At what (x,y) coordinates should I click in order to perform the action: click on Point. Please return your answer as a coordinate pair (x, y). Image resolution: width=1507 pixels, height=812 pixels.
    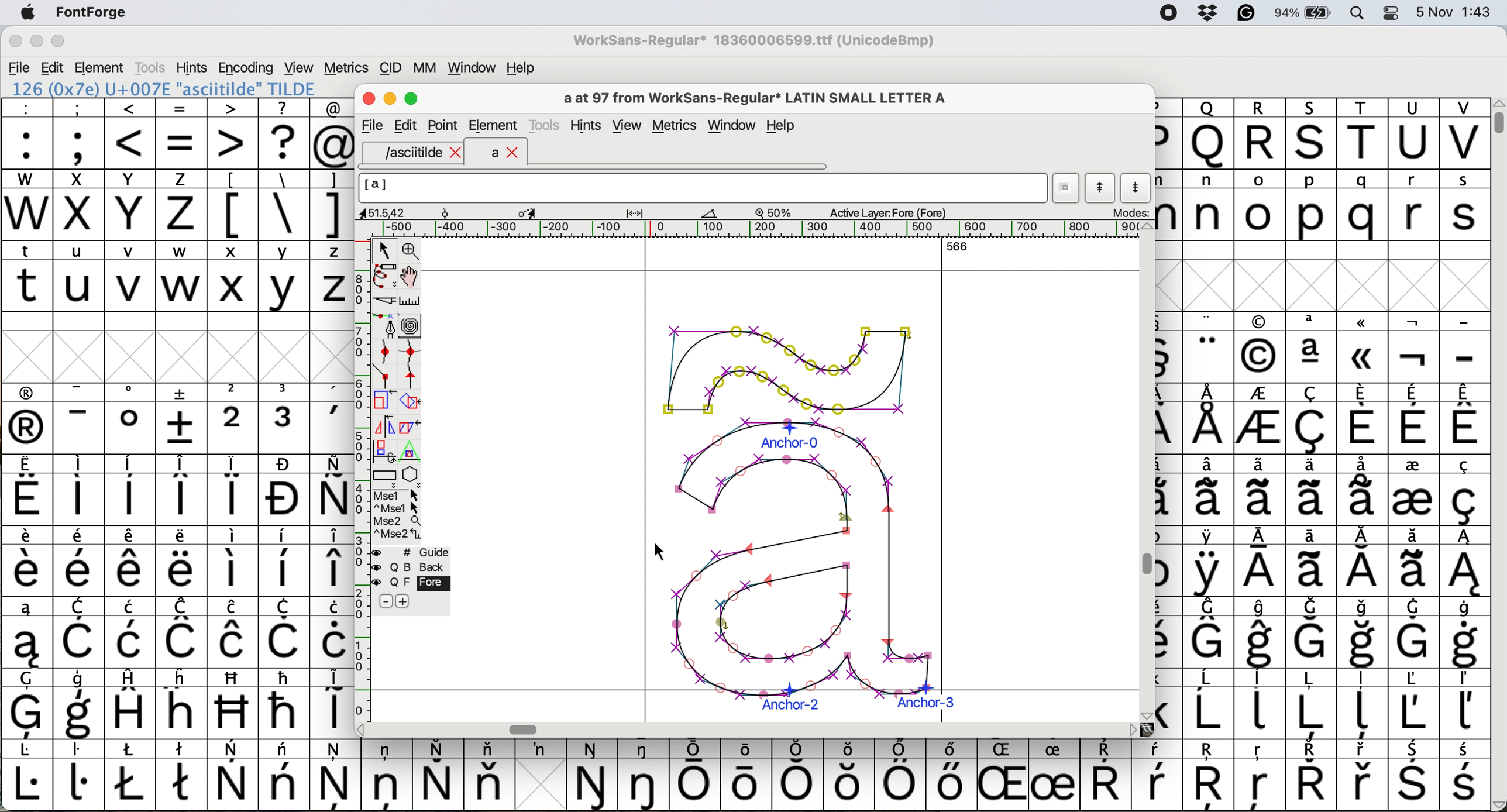
    Looking at the image, I should click on (444, 127).